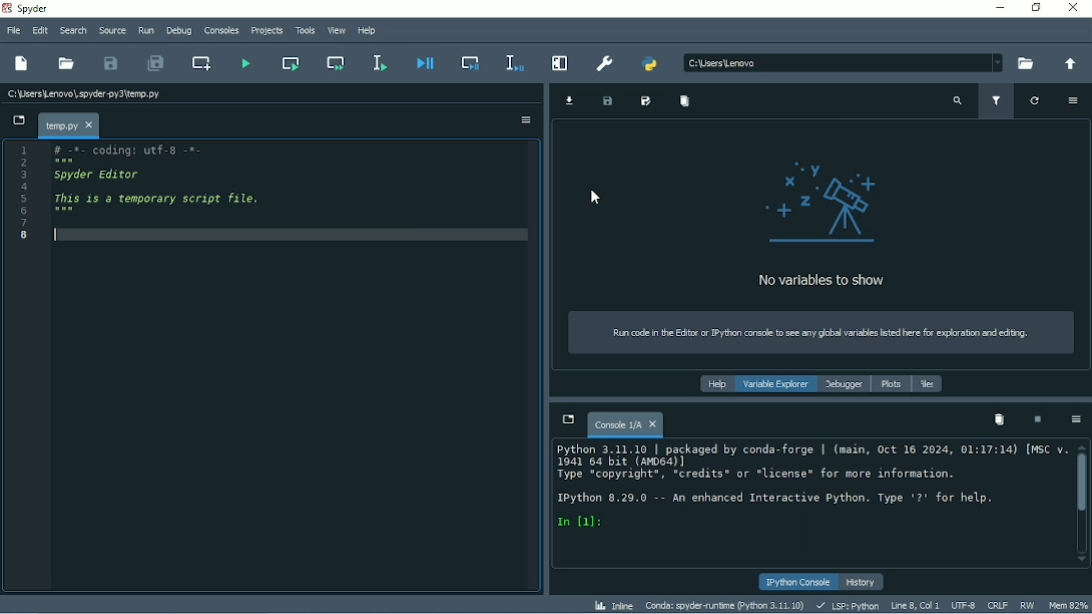 The height and width of the screenshot is (614, 1092). I want to click on Options, so click(1073, 100).